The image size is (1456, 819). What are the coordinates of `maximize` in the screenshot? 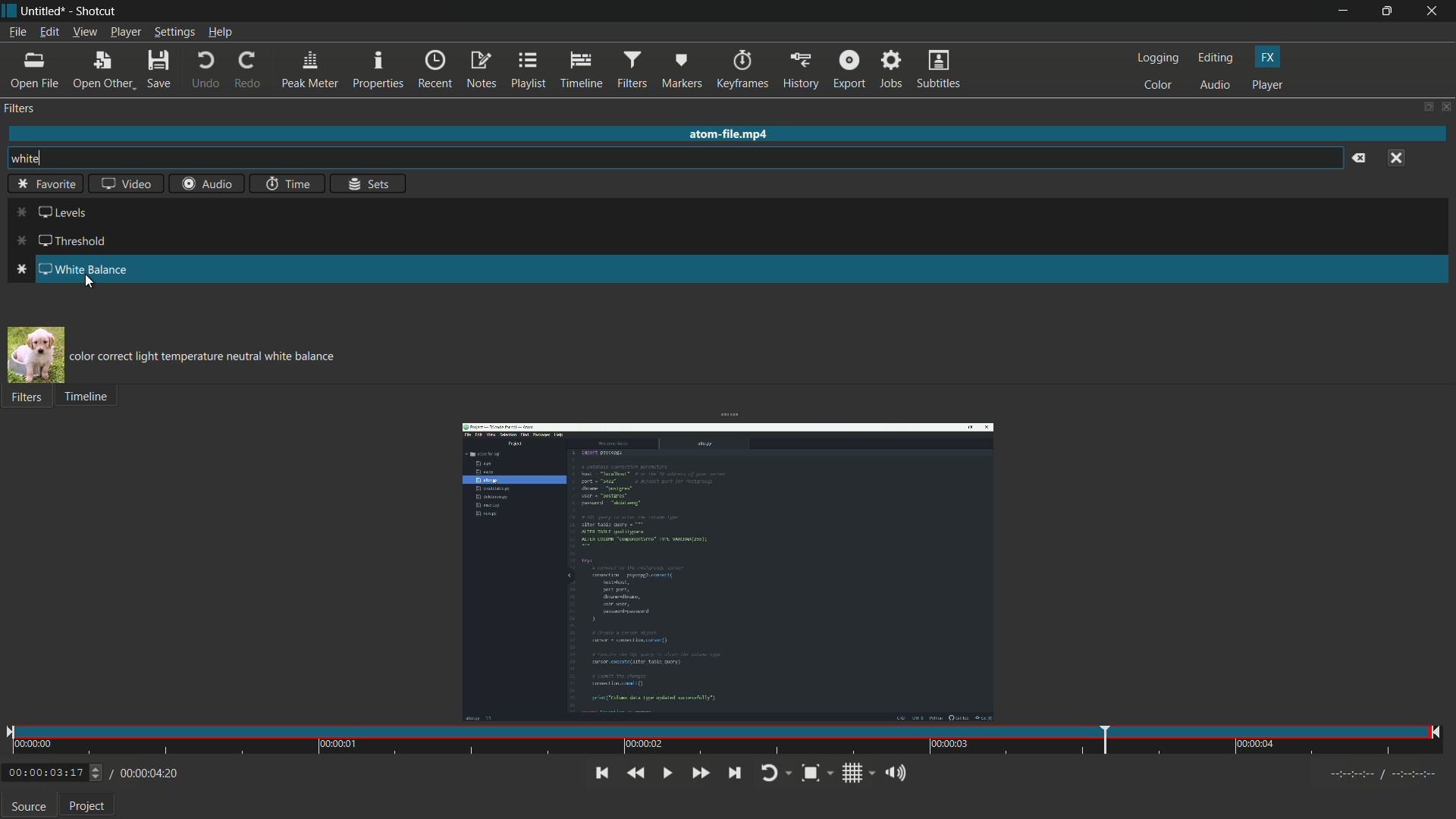 It's located at (1389, 11).